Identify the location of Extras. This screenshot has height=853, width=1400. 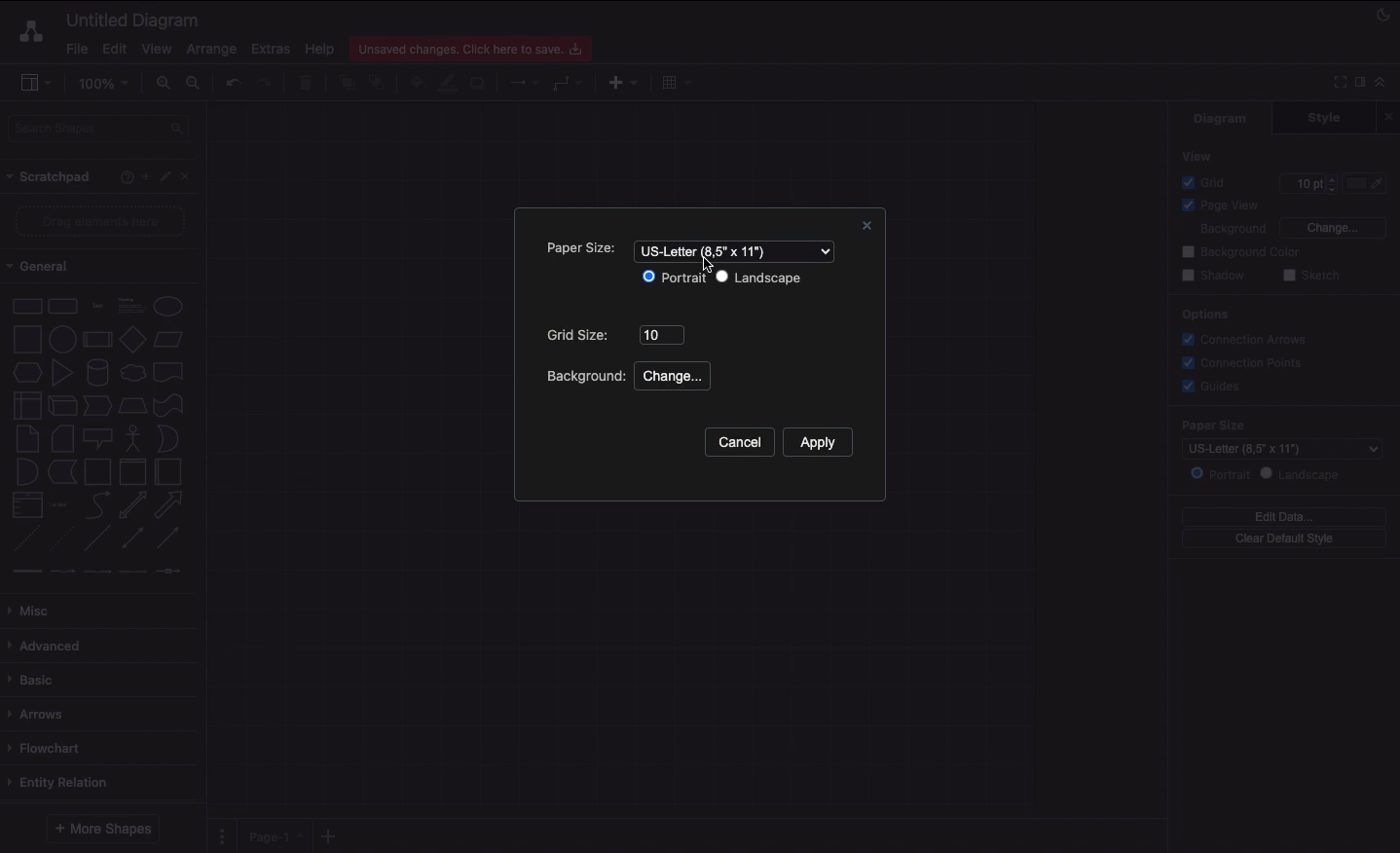
(271, 48).